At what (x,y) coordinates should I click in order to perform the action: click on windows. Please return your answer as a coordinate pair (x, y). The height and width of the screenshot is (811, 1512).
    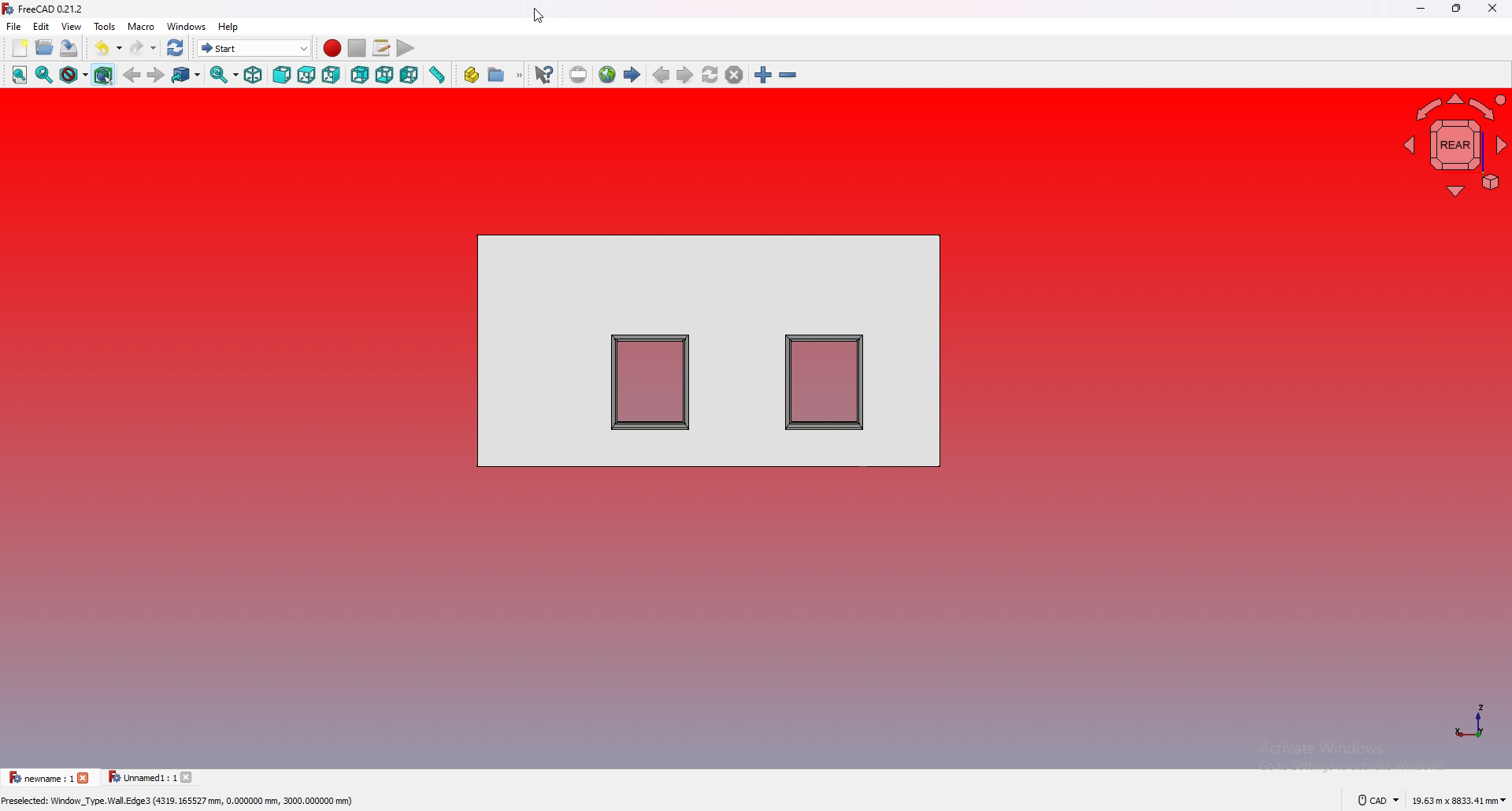
    Looking at the image, I should click on (187, 26).